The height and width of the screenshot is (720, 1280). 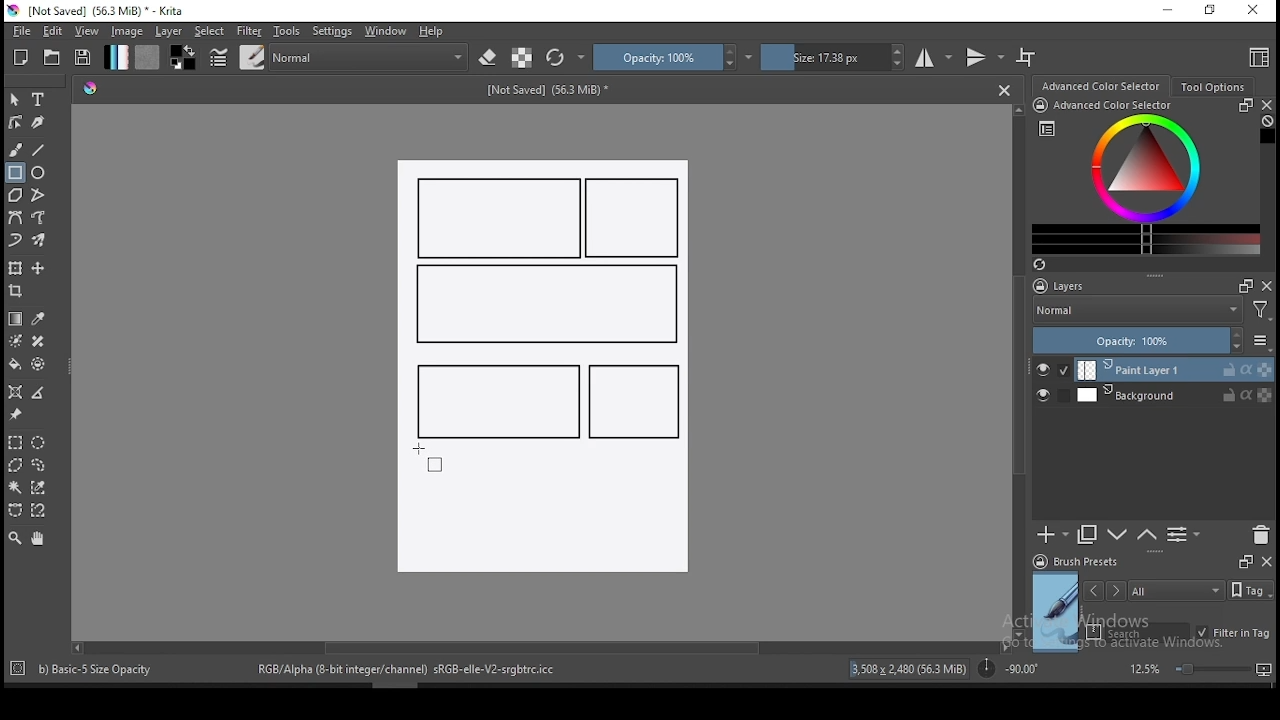 I want to click on restore, so click(x=1214, y=11).